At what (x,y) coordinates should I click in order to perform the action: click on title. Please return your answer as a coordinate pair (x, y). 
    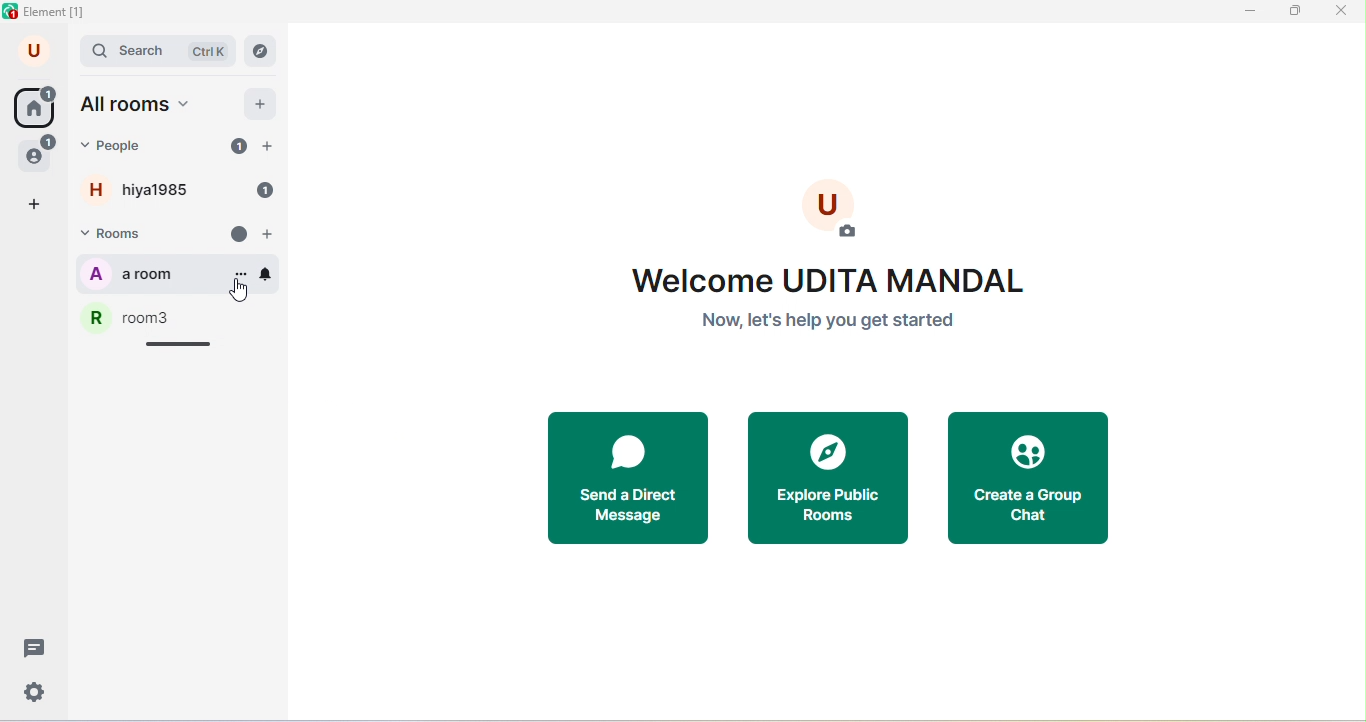
    Looking at the image, I should click on (49, 13).